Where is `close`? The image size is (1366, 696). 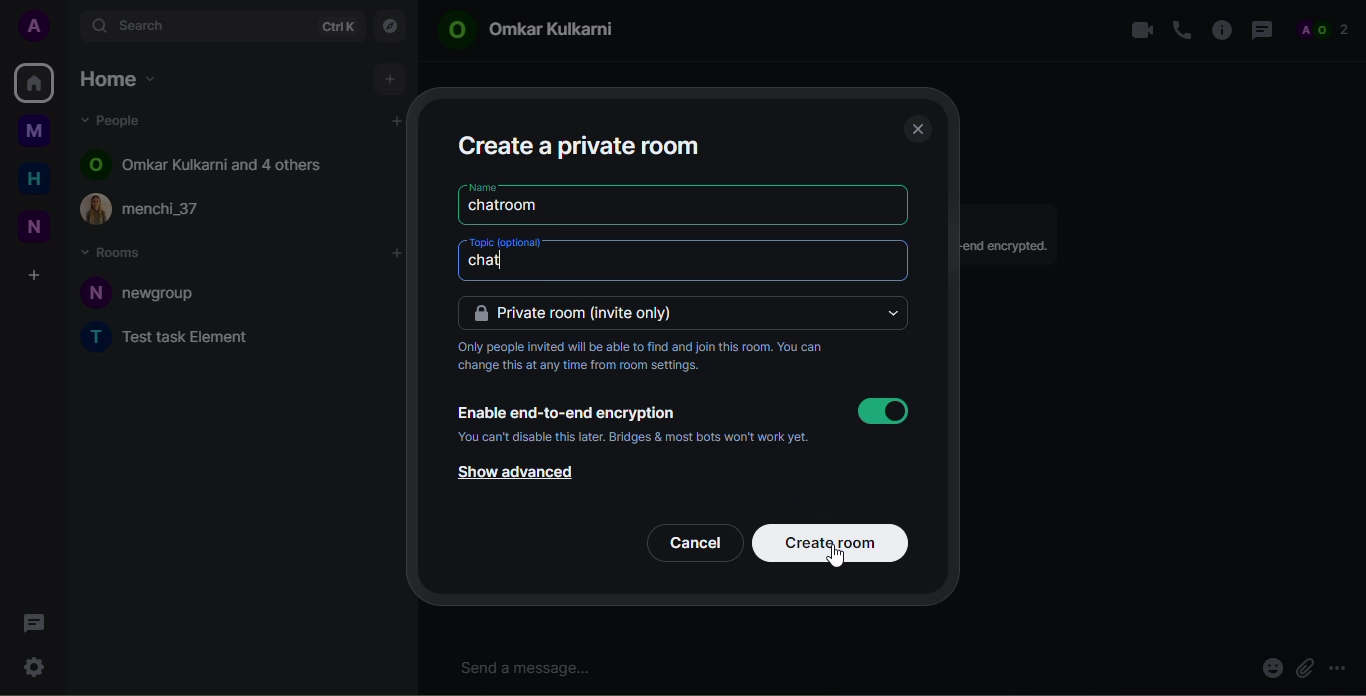
close is located at coordinates (917, 128).